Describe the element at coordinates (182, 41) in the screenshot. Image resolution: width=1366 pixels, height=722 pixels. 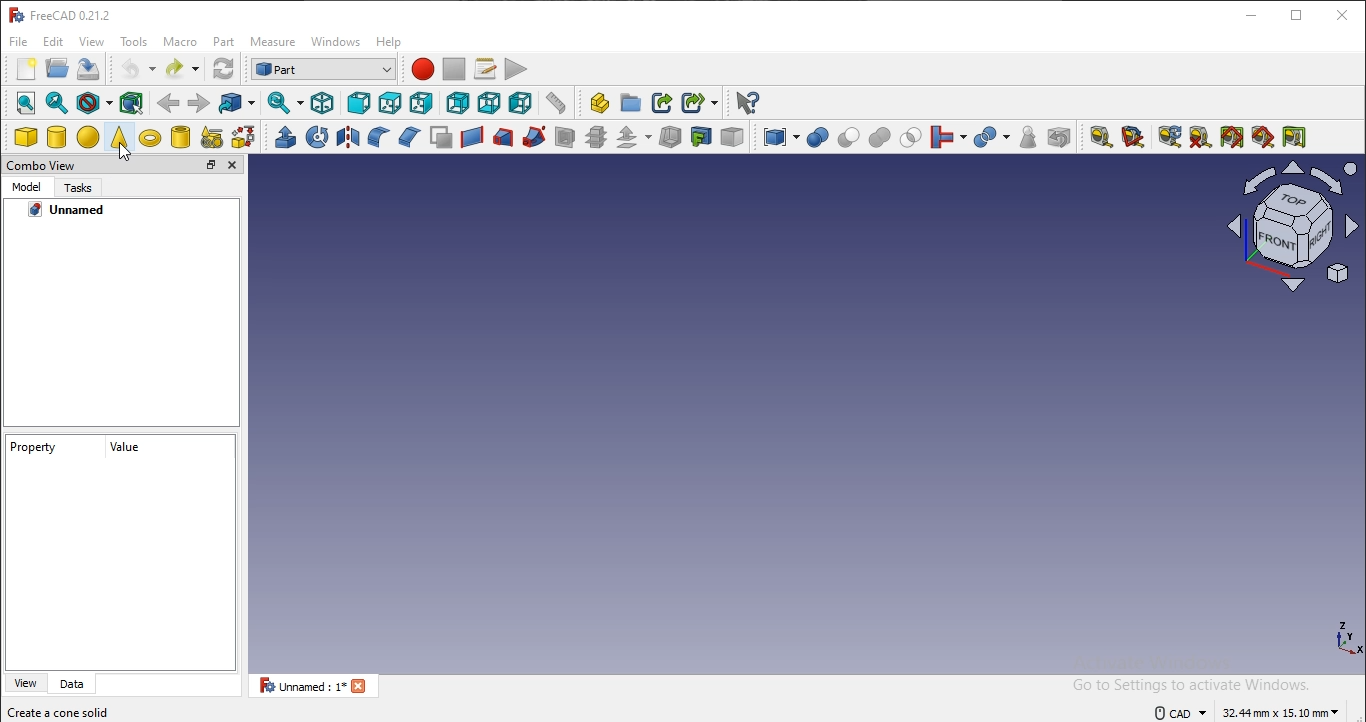
I see `macro` at that location.